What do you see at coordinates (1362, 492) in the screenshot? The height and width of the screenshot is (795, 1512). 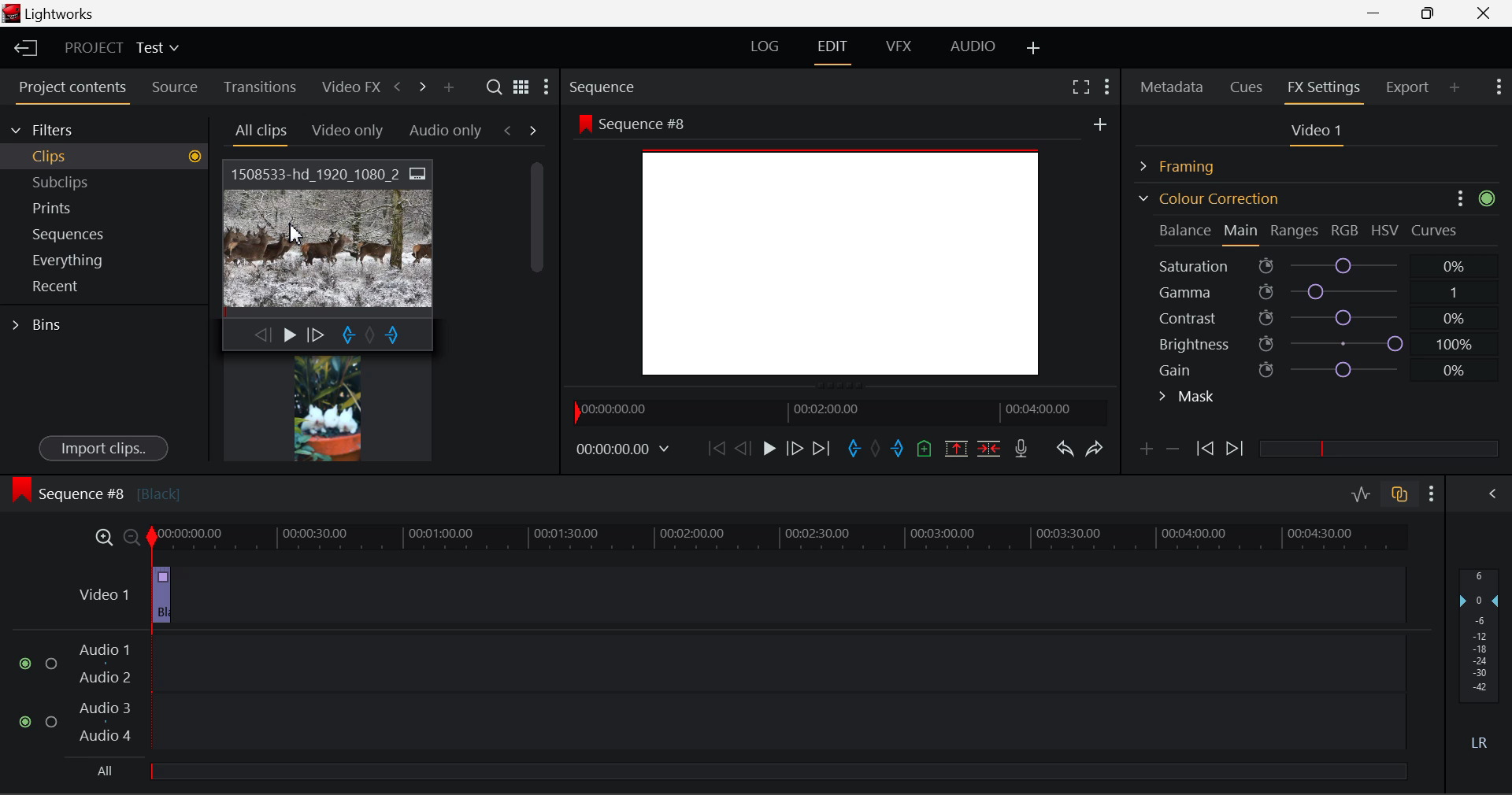 I see `Toggle audio editing levels` at bounding box center [1362, 492].